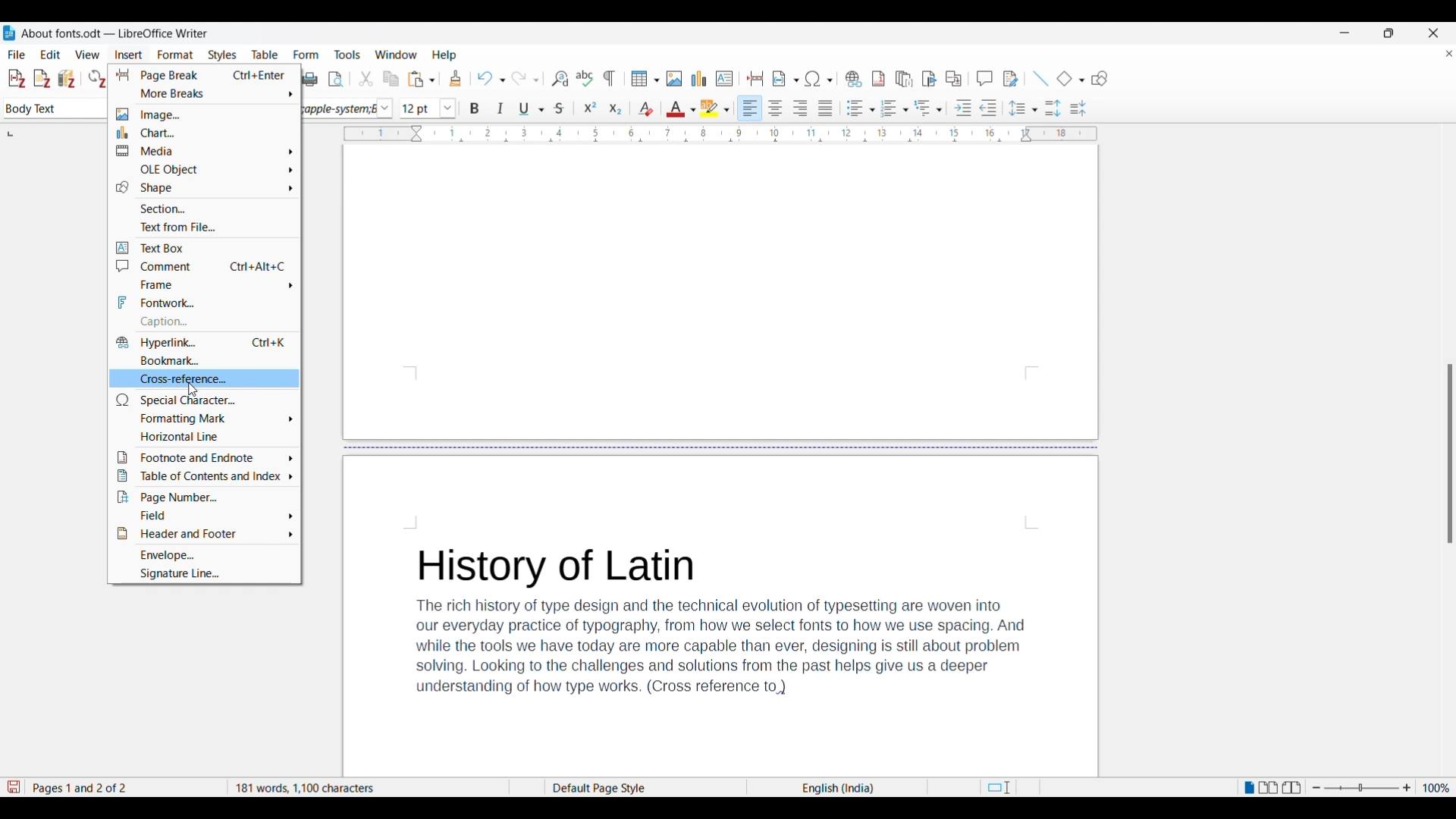  What do you see at coordinates (680, 109) in the screenshot?
I see `Text color options` at bounding box center [680, 109].